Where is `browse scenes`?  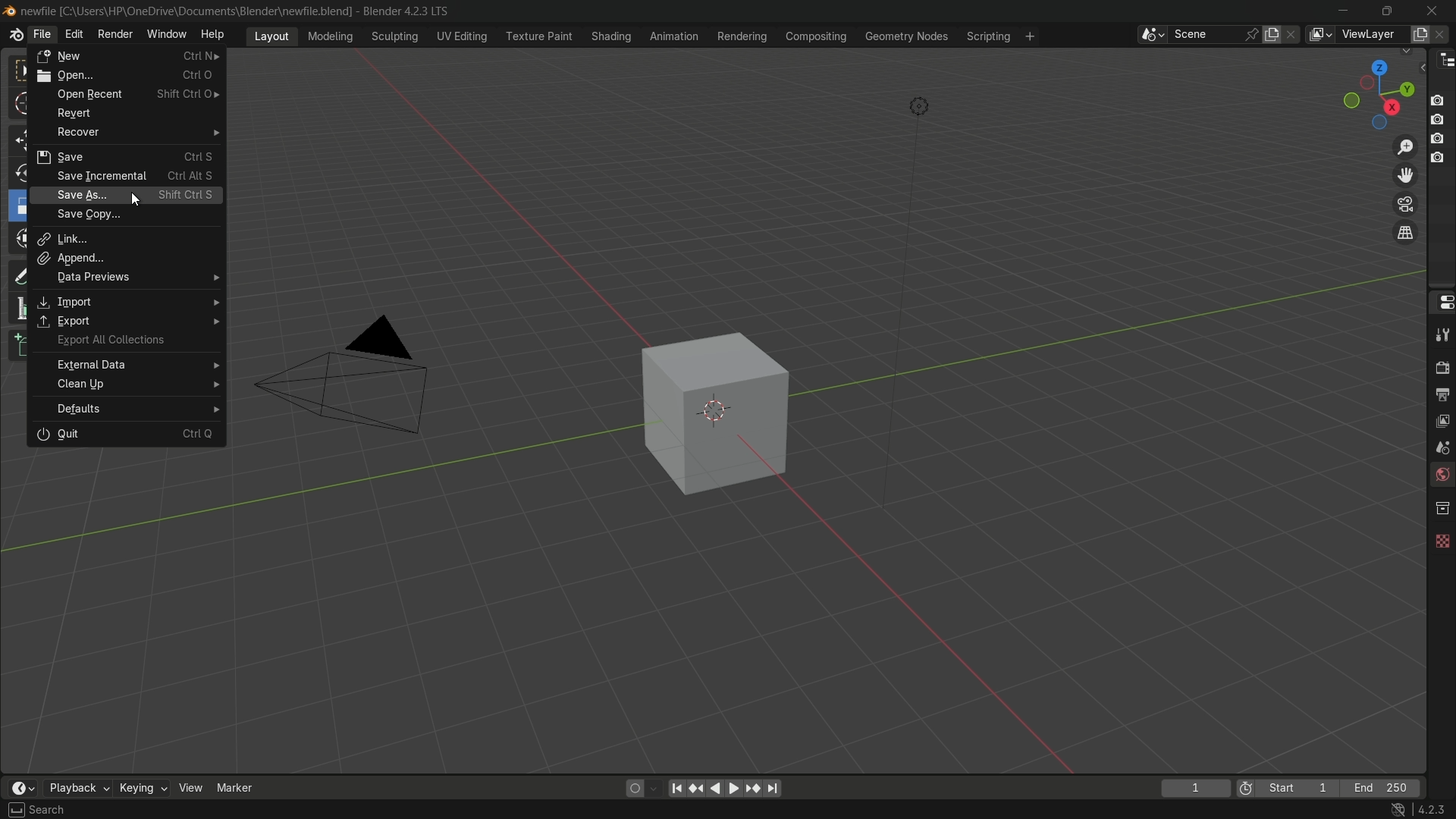 browse scenes is located at coordinates (1152, 35).